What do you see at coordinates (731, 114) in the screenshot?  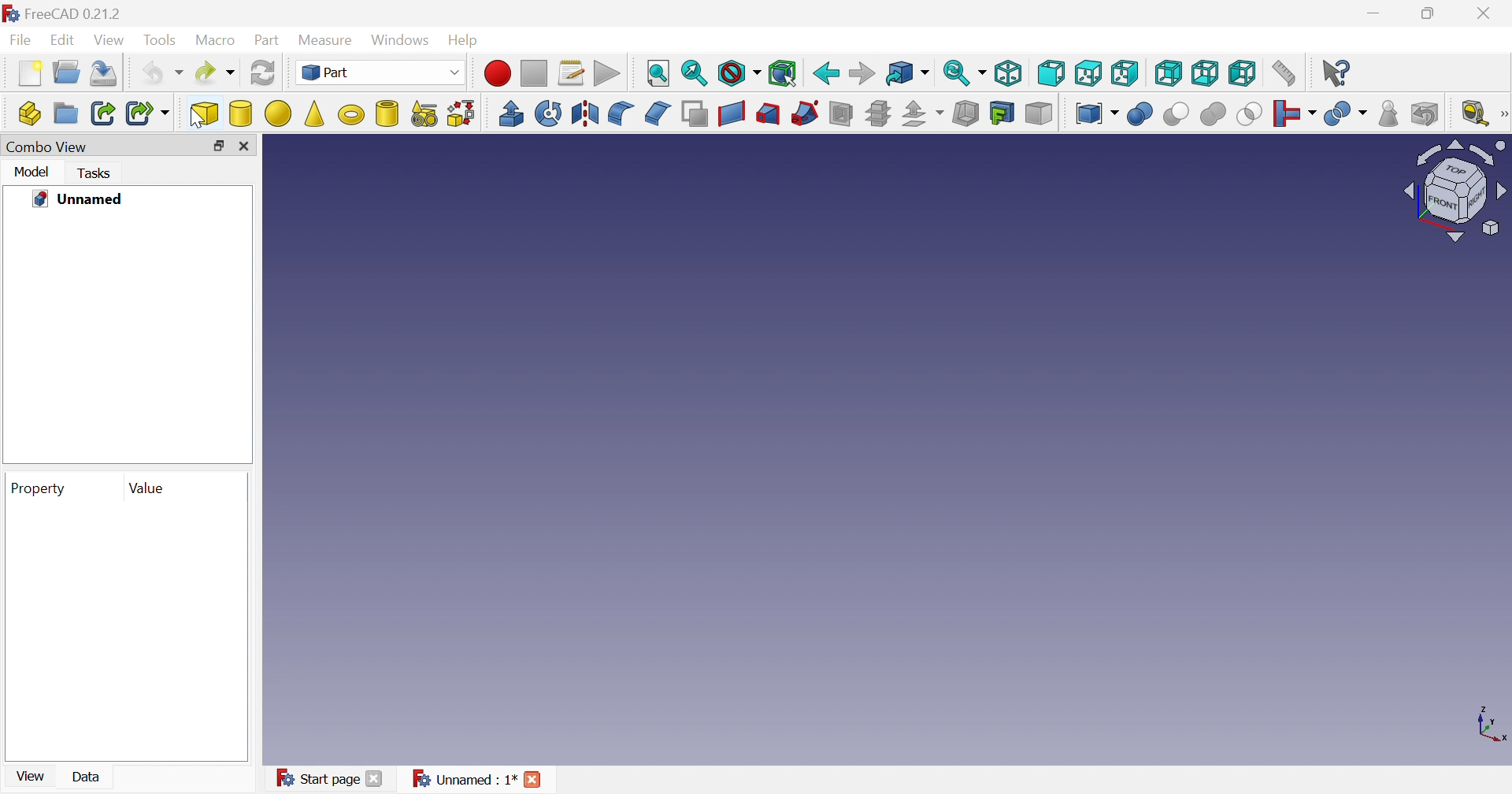 I see `Create ruled surface` at bounding box center [731, 114].